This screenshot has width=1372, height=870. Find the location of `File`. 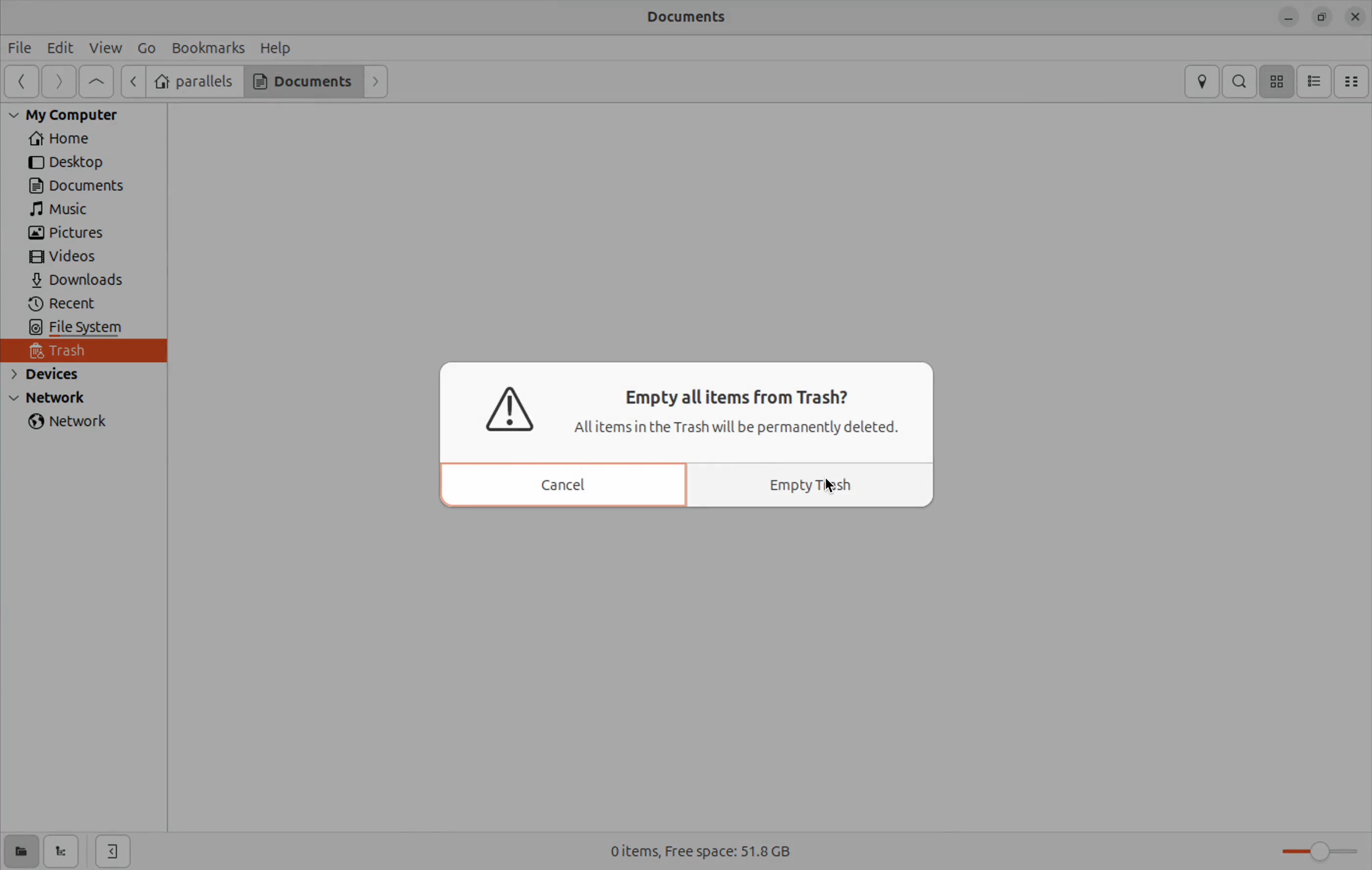

File is located at coordinates (19, 48).